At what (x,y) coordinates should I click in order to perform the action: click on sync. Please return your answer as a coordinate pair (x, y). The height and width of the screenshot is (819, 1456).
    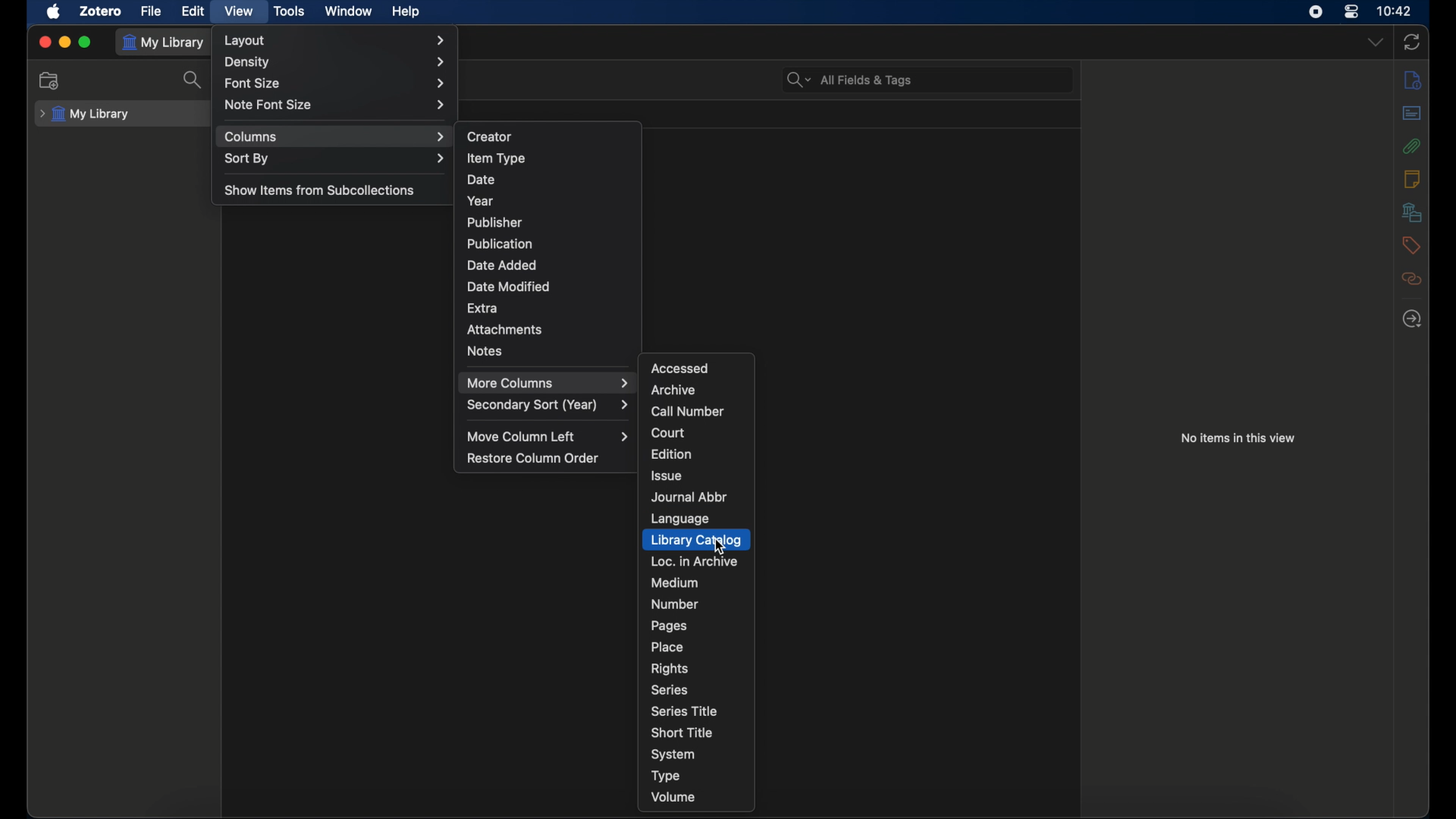
    Looking at the image, I should click on (1412, 42).